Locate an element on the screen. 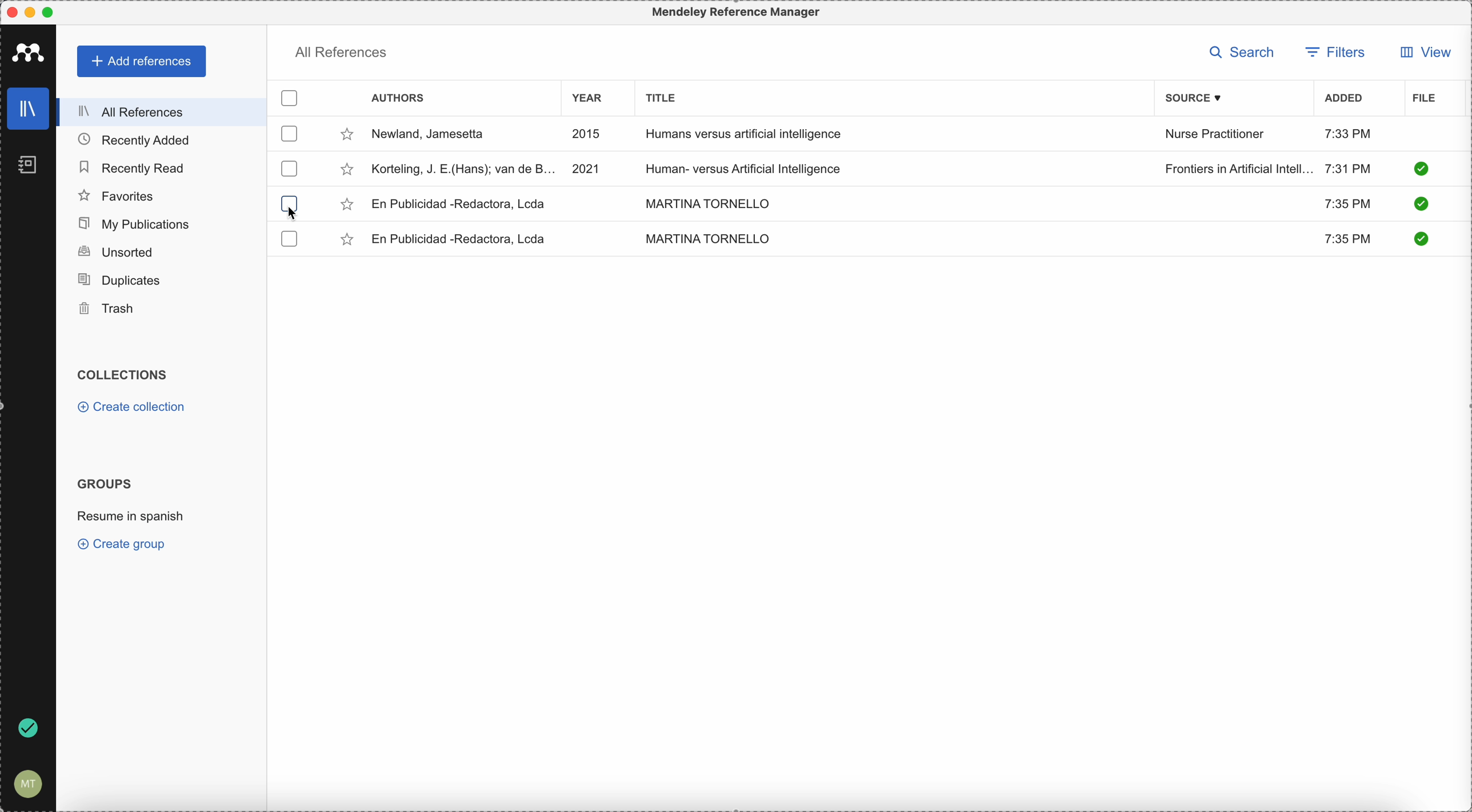 The height and width of the screenshot is (812, 1472). create group is located at coordinates (125, 543).